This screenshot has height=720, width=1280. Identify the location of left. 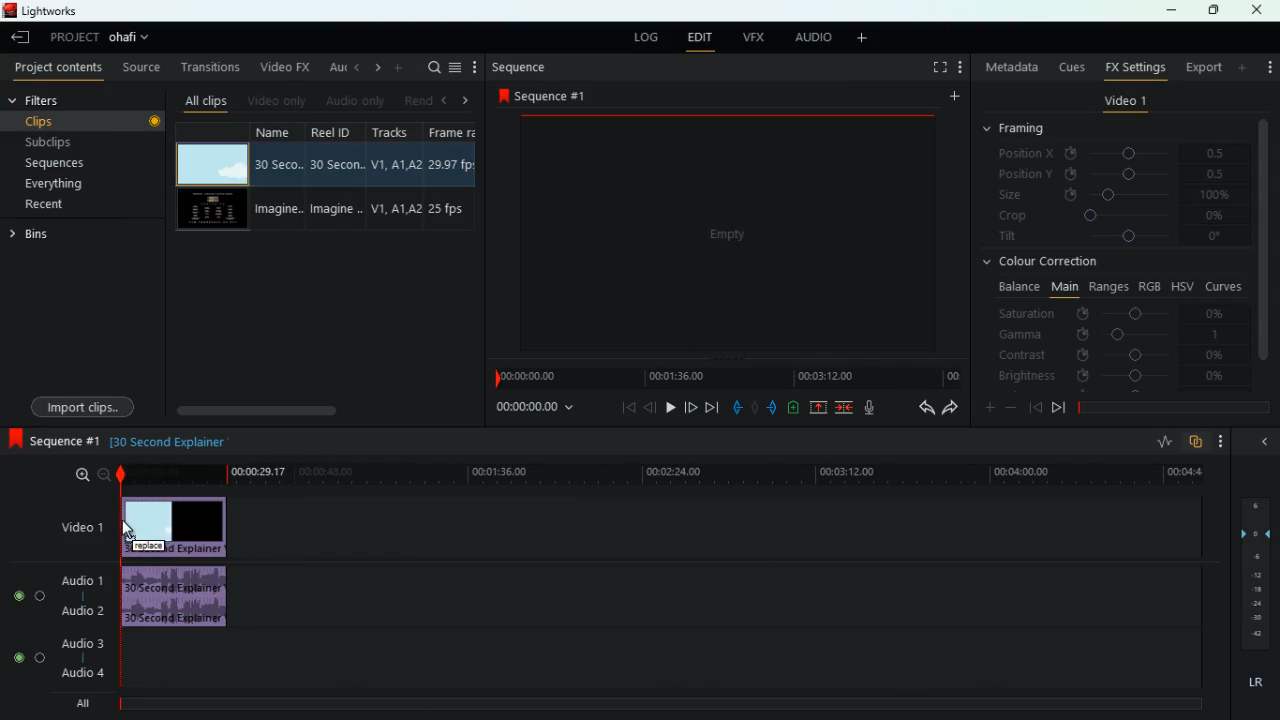
(448, 100).